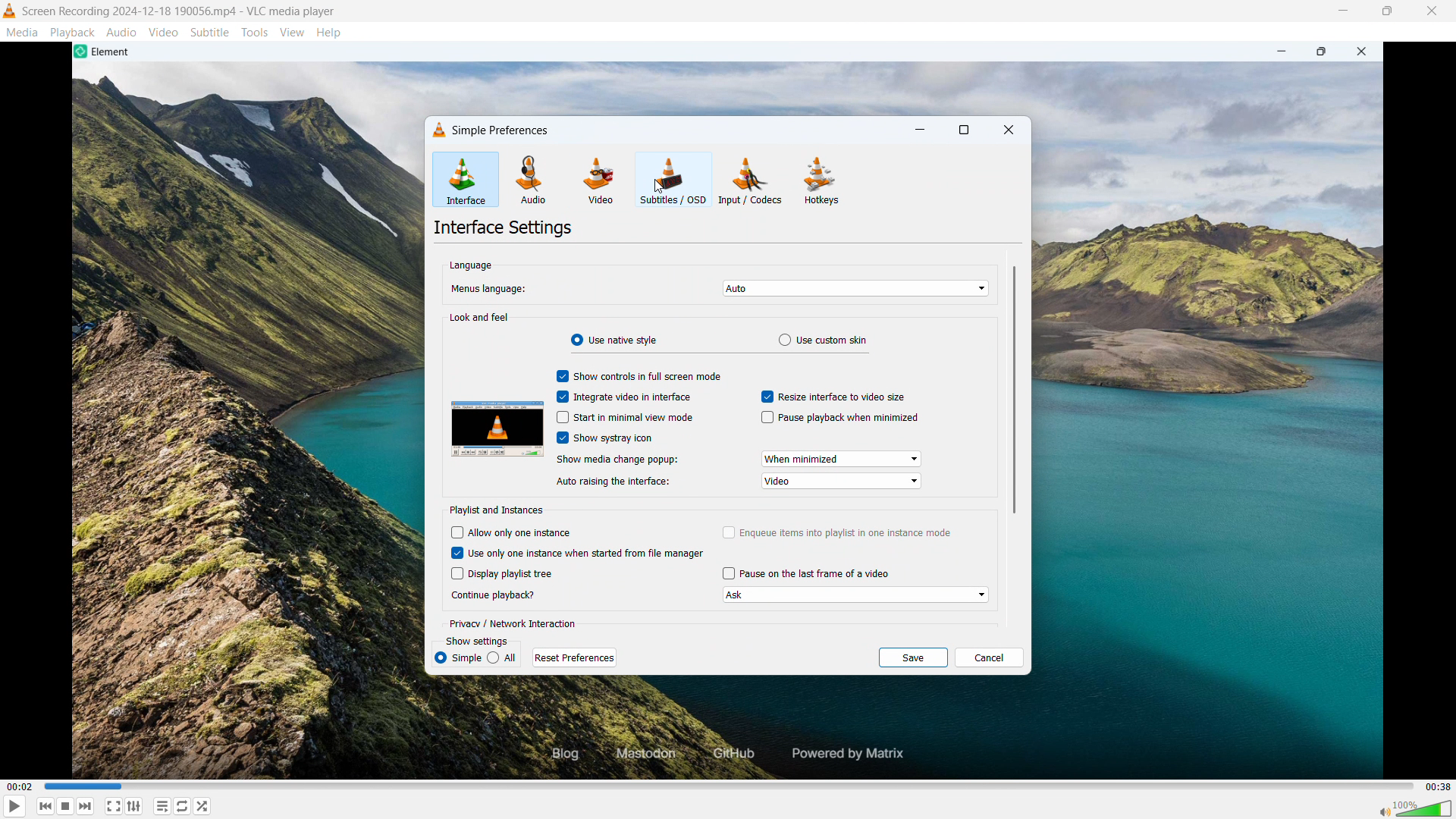 This screenshot has width=1456, height=819. Describe the element at coordinates (575, 657) in the screenshot. I see `Reset preferences ` at that location.